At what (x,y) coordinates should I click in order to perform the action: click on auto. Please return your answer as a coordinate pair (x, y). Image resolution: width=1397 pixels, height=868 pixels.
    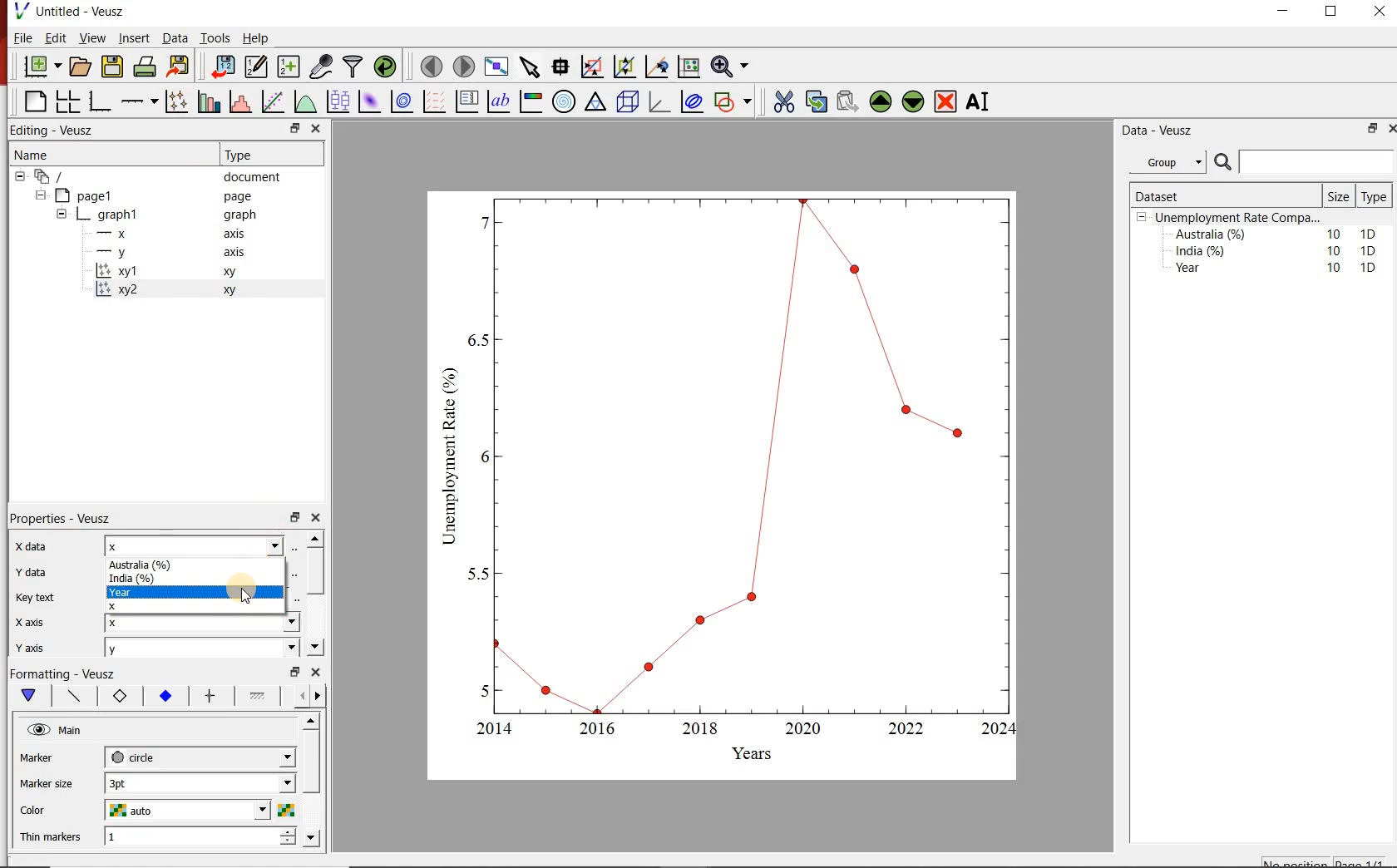
    Looking at the image, I should click on (190, 811).